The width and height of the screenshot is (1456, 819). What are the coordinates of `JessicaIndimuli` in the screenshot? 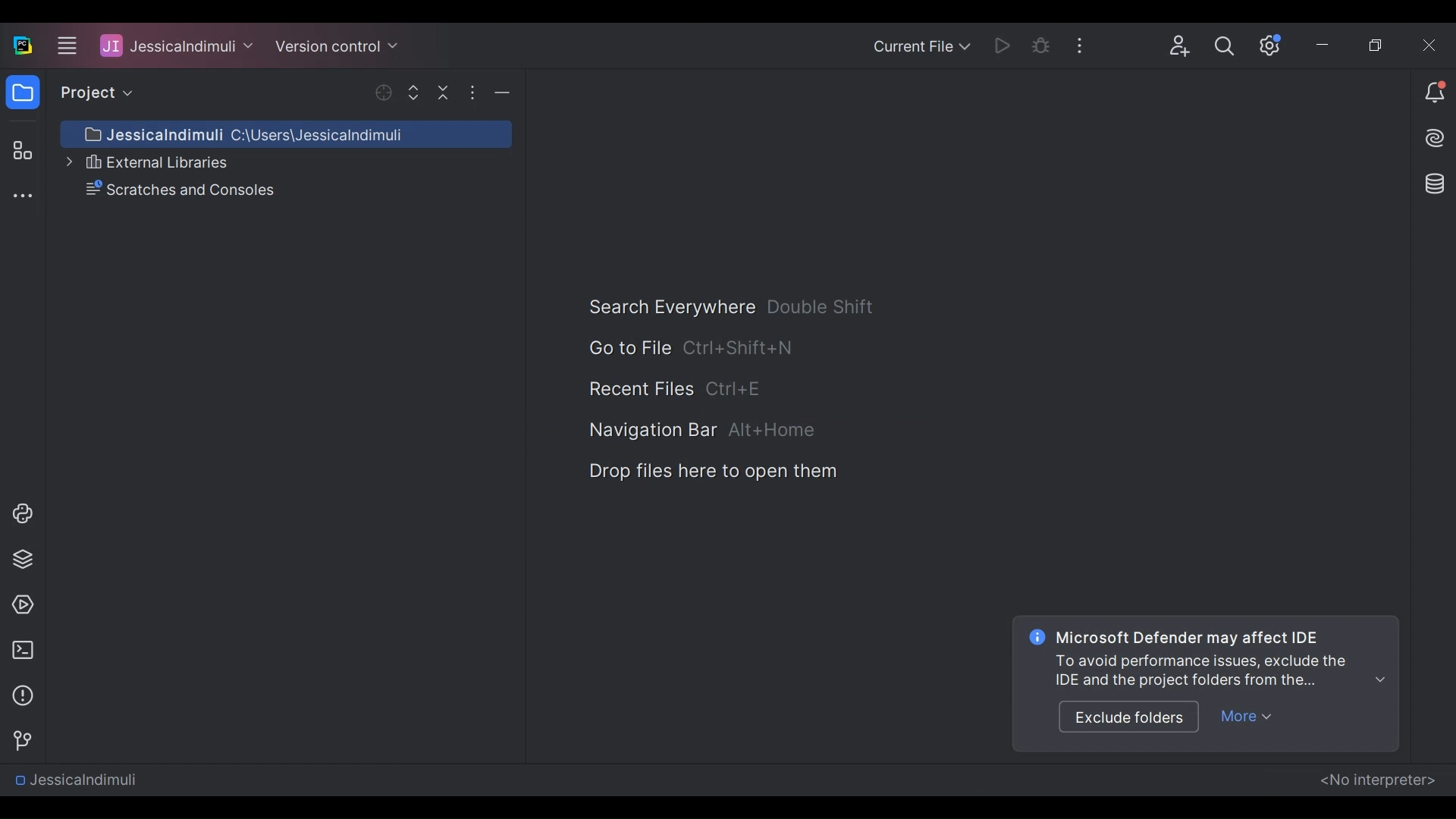 It's located at (174, 47).